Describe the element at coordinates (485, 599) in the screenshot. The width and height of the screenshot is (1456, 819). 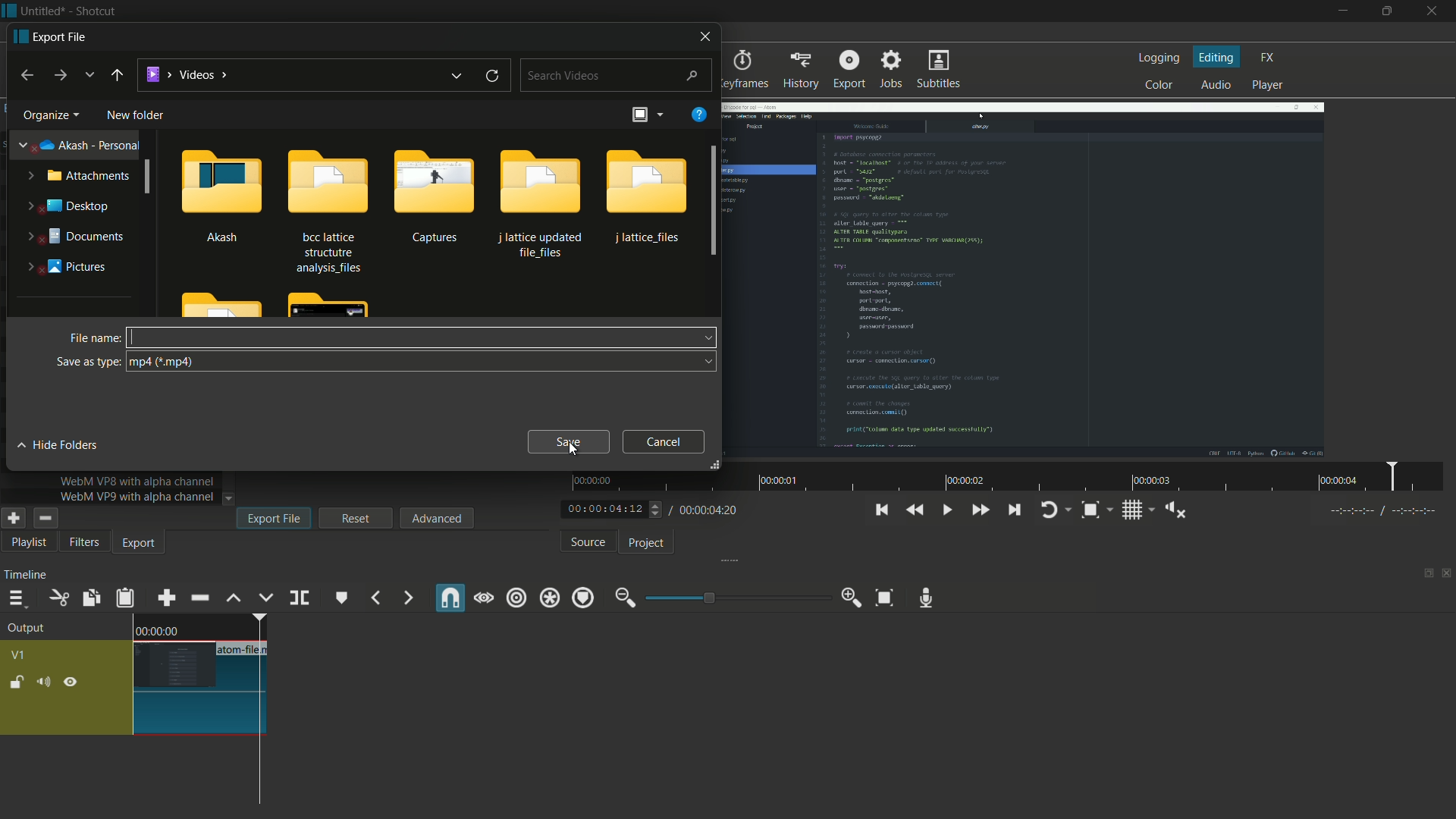
I see `scrub while dragging` at that location.